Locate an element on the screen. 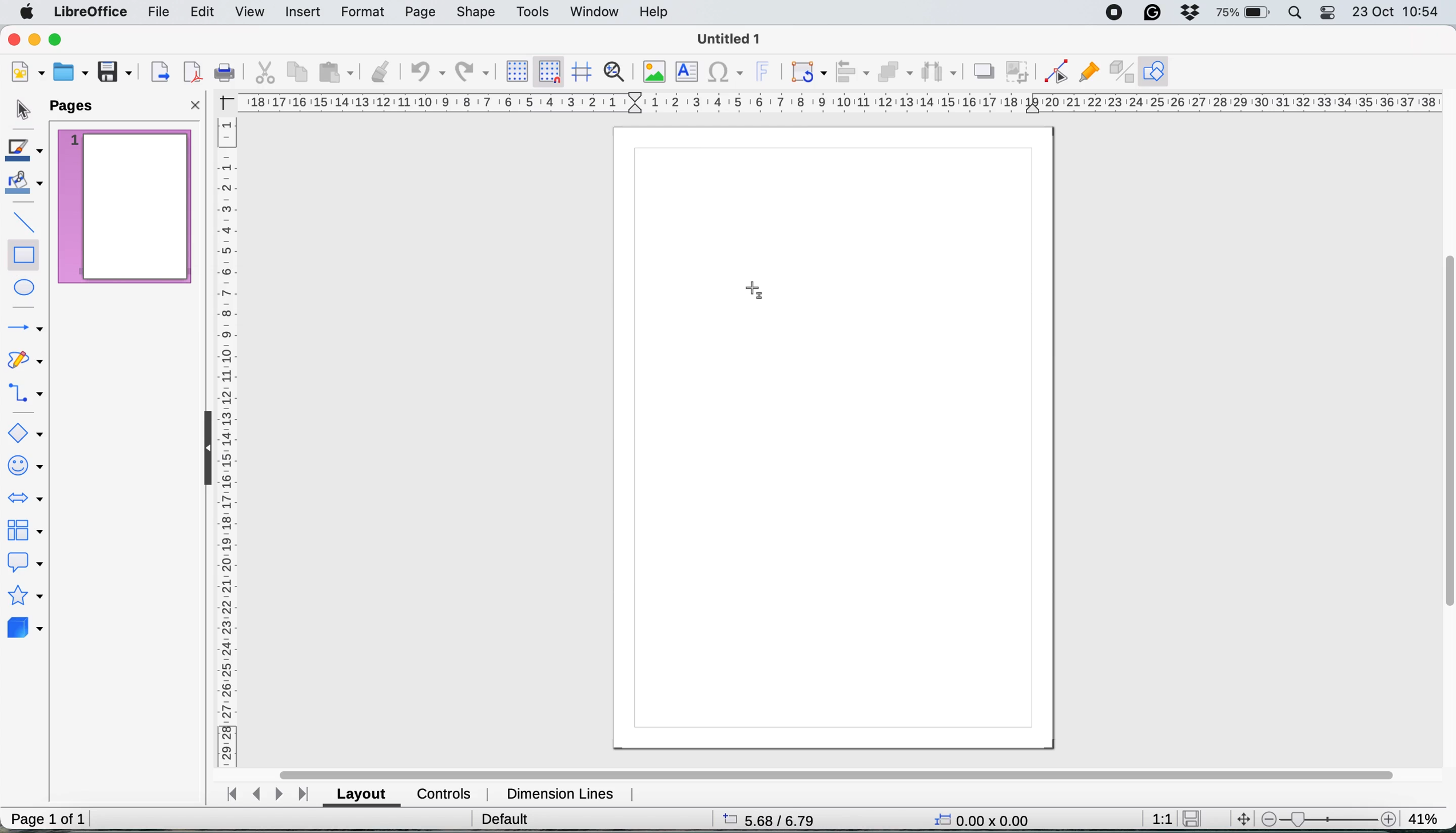 This screenshot has width=1456, height=833. current page is located at coordinates (124, 206).